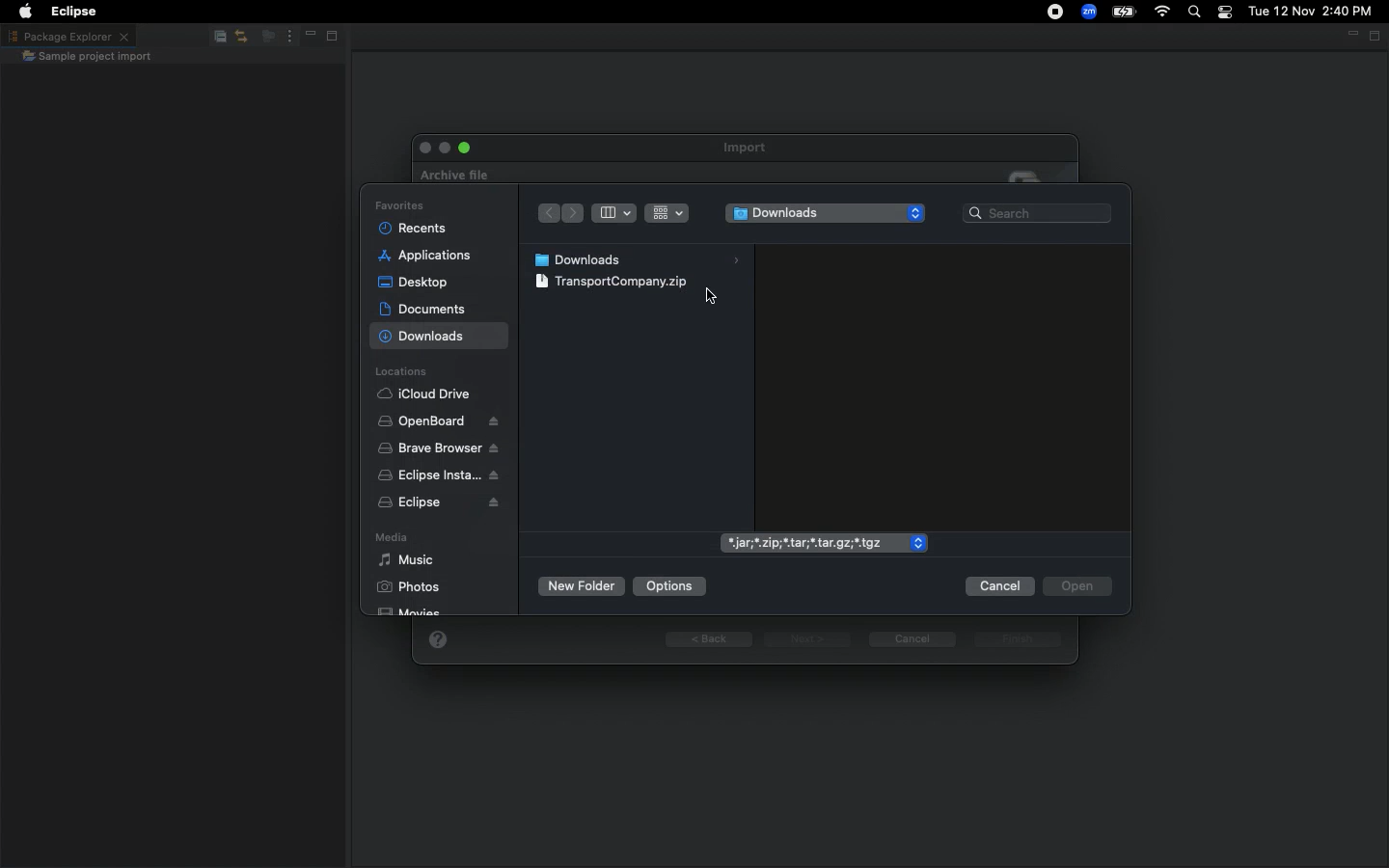 The width and height of the screenshot is (1389, 868). Describe the element at coordinates (1310, 12) in the screenshot. I see `Tue 12 nov 2:40 PM` at that location.